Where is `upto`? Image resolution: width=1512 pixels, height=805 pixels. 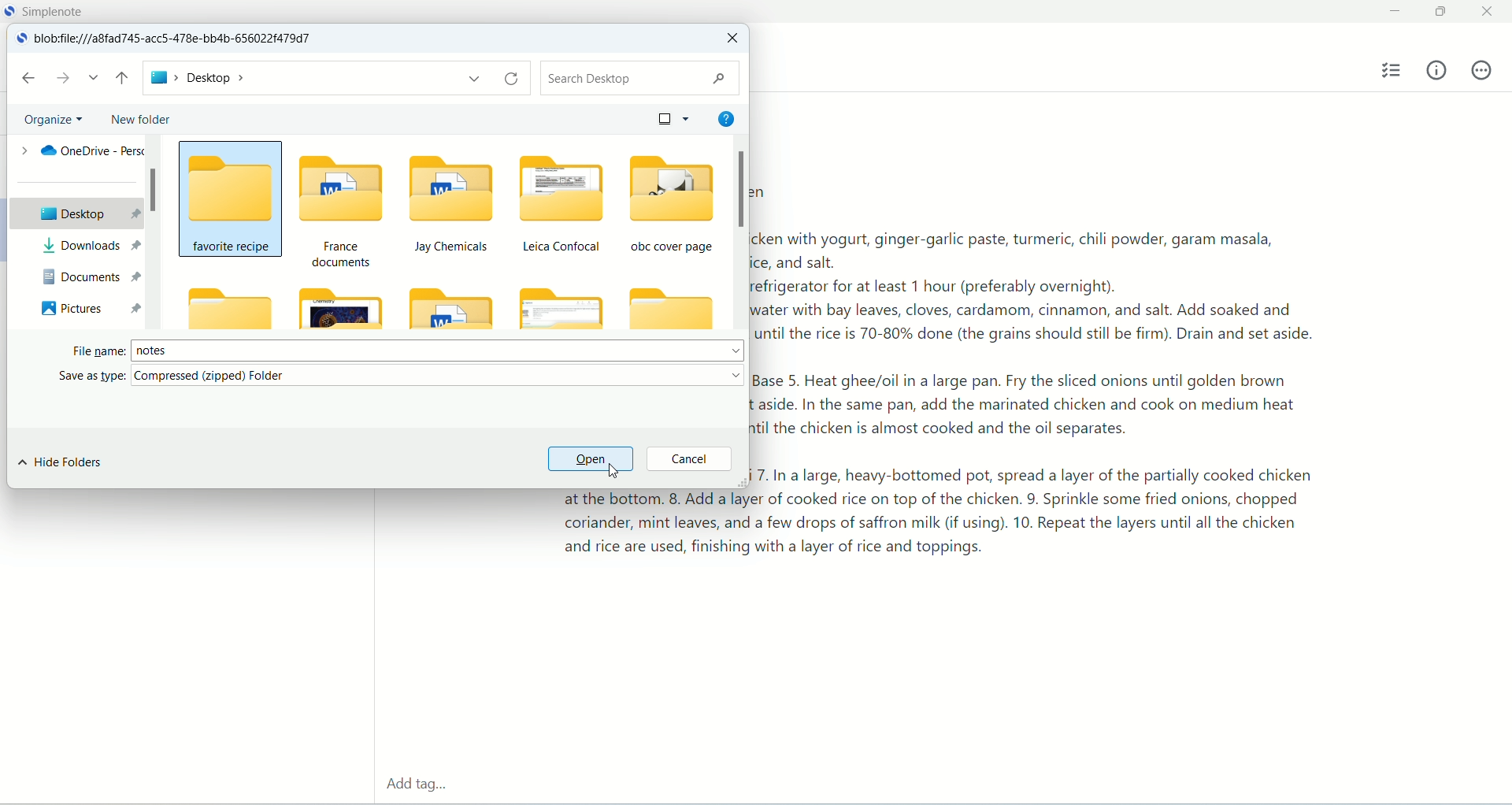
upto is located at coordinates (124, 80).